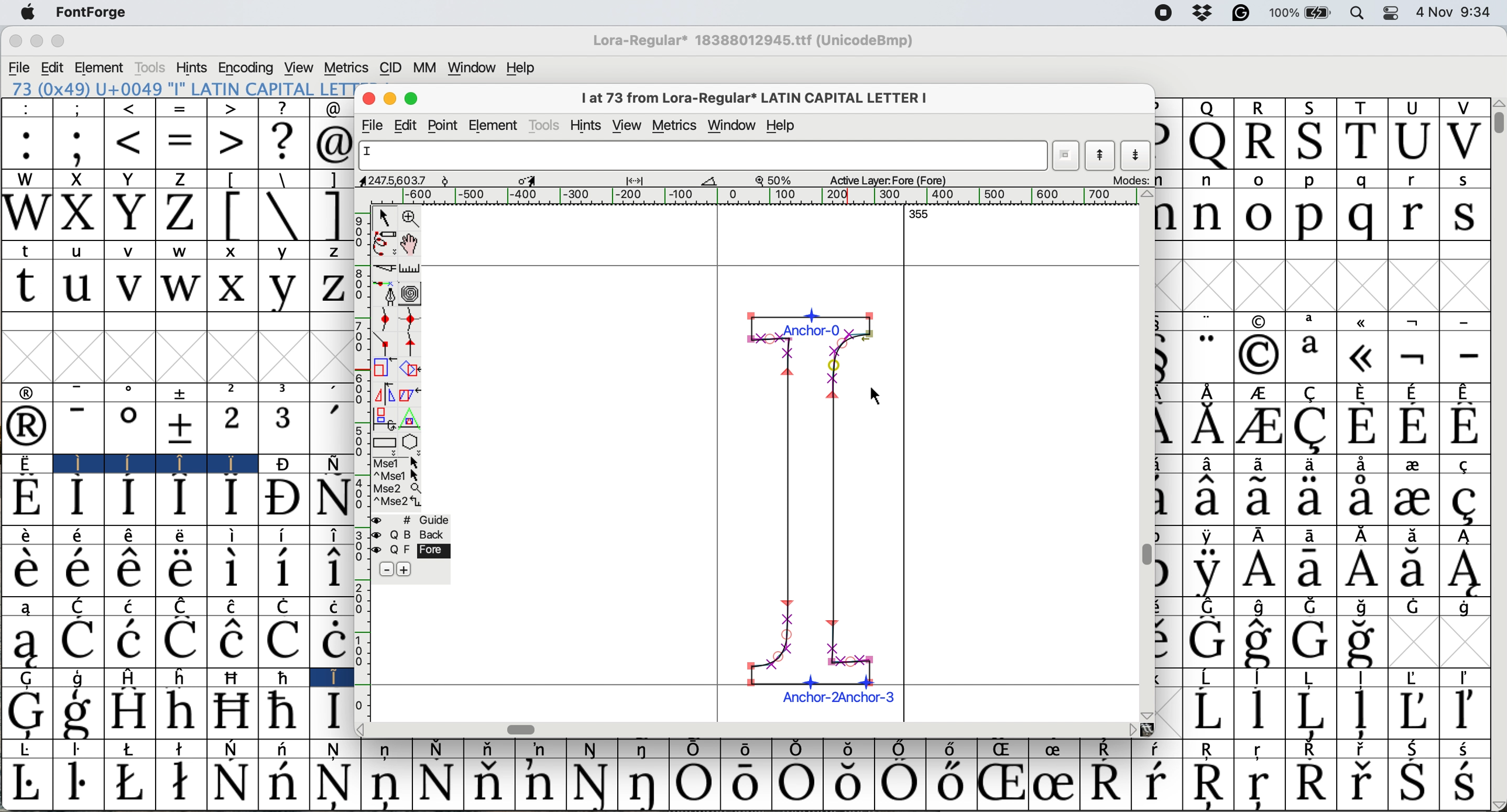 Image resolution: width=1507 pixels, height=812 pixels. I want to click on Q, so click(1209, 144).